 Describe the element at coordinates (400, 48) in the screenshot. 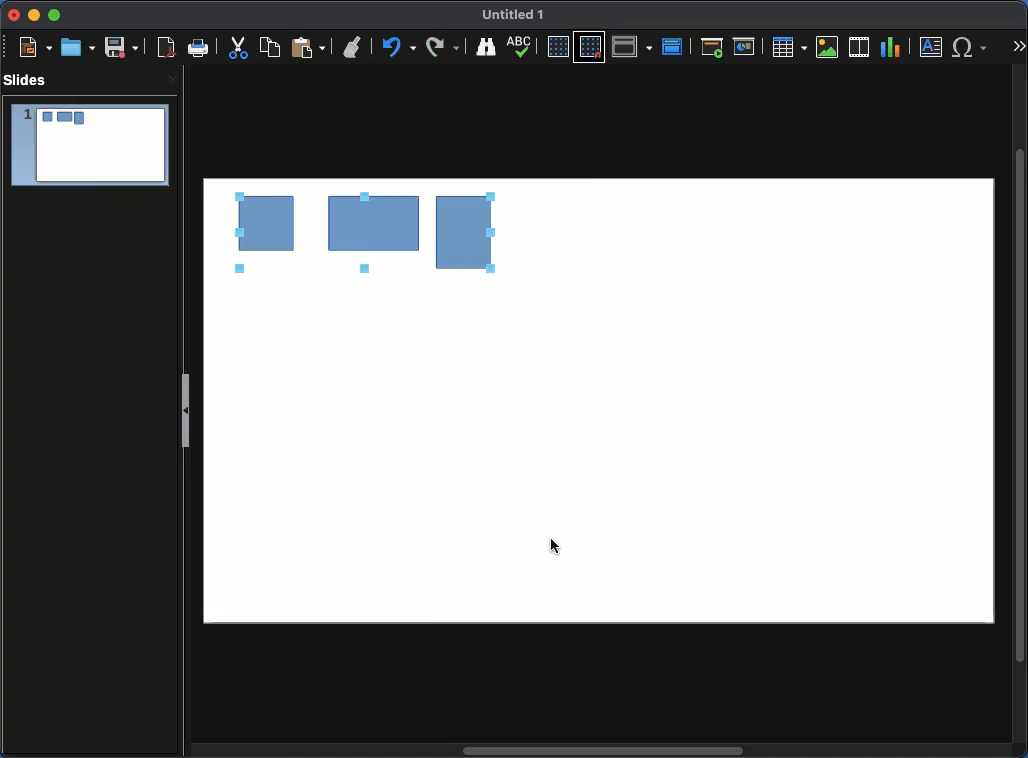

I see `Undo` at that location.